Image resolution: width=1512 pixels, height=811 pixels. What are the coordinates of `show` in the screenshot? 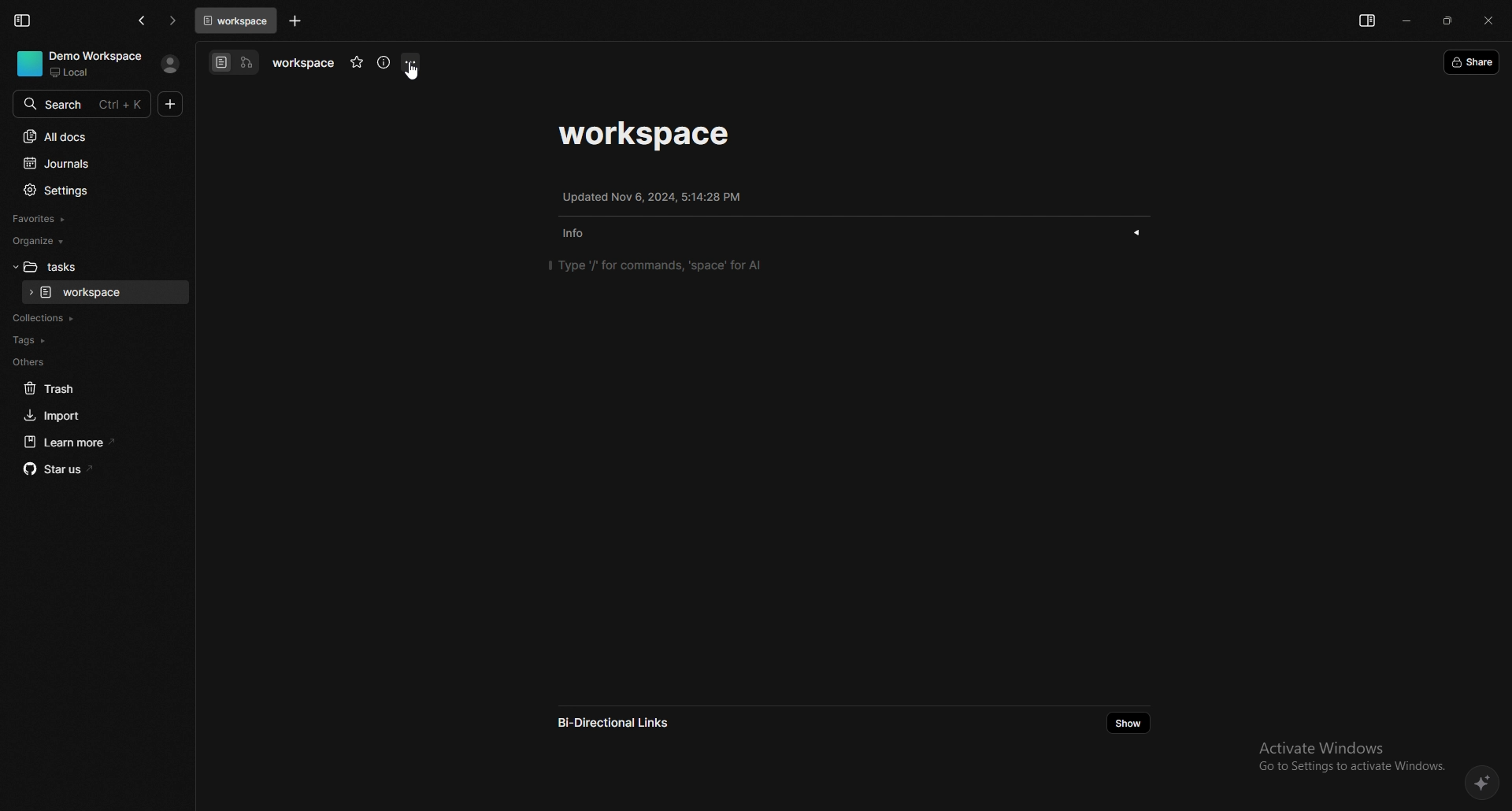 It's located at (1137, 232).